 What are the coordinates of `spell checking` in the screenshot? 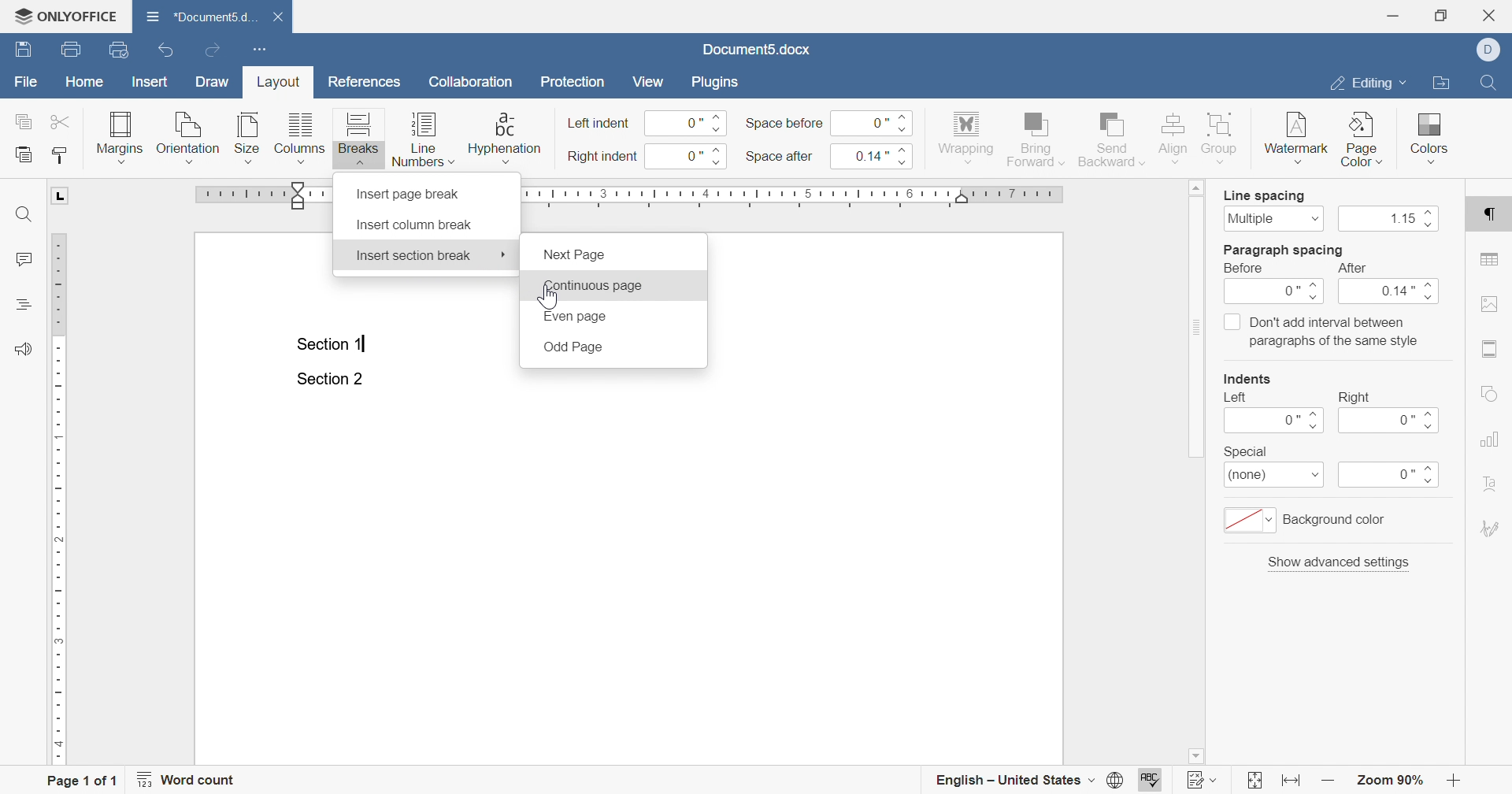 It's located at (1153, 779).